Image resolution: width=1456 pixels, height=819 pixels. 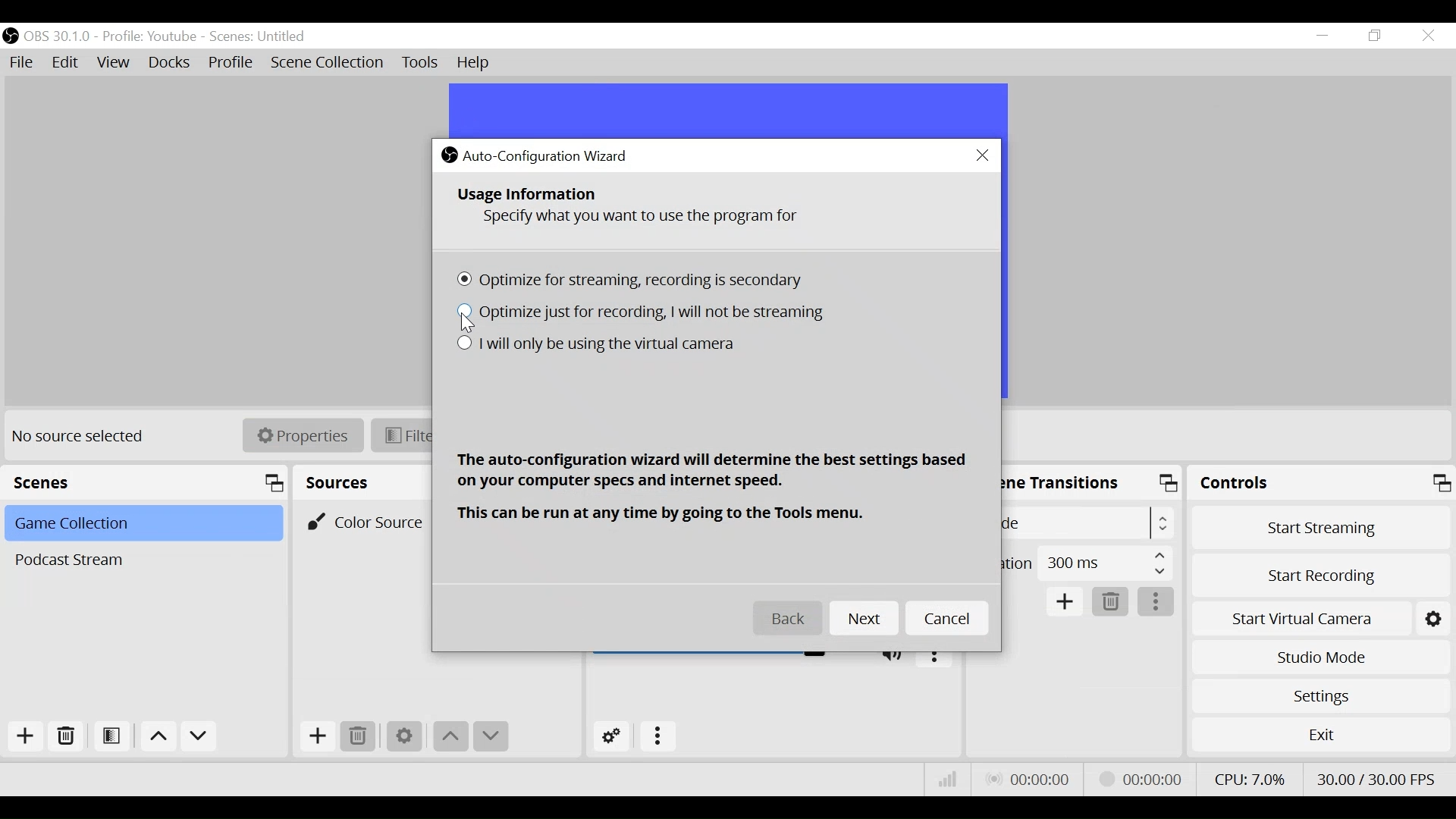 I want to click on Back, so click(x=789, y=620).